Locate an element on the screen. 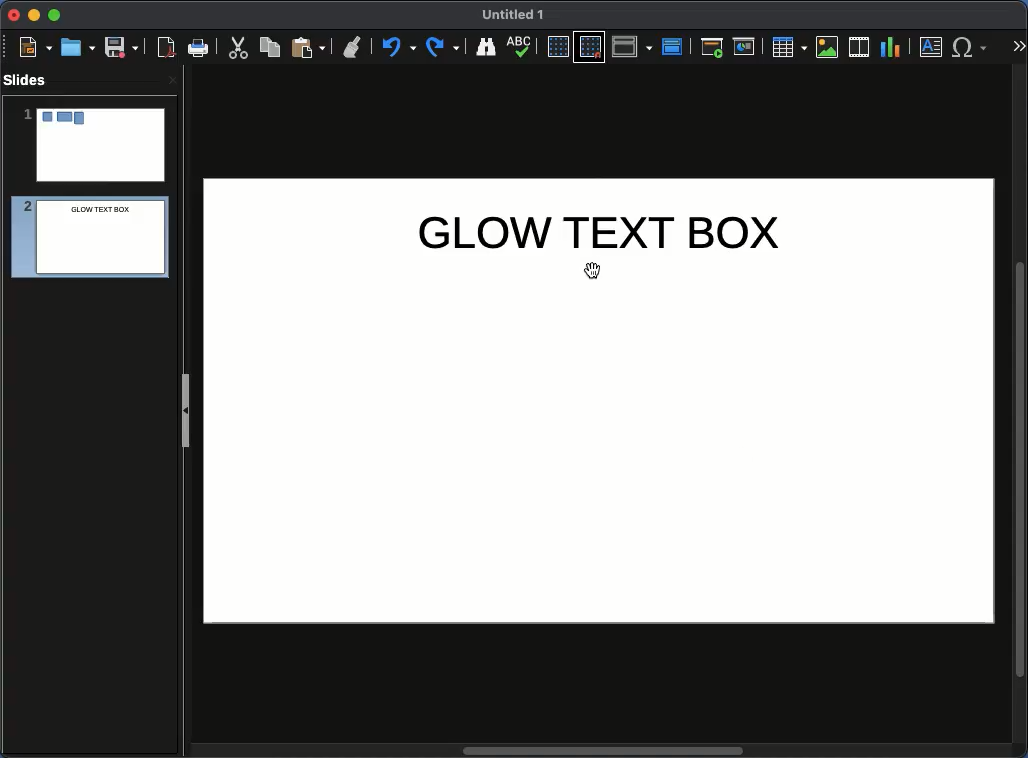 The width and height of the screenshot is (1028, 758). Copy is located at coordinates (270, 46).